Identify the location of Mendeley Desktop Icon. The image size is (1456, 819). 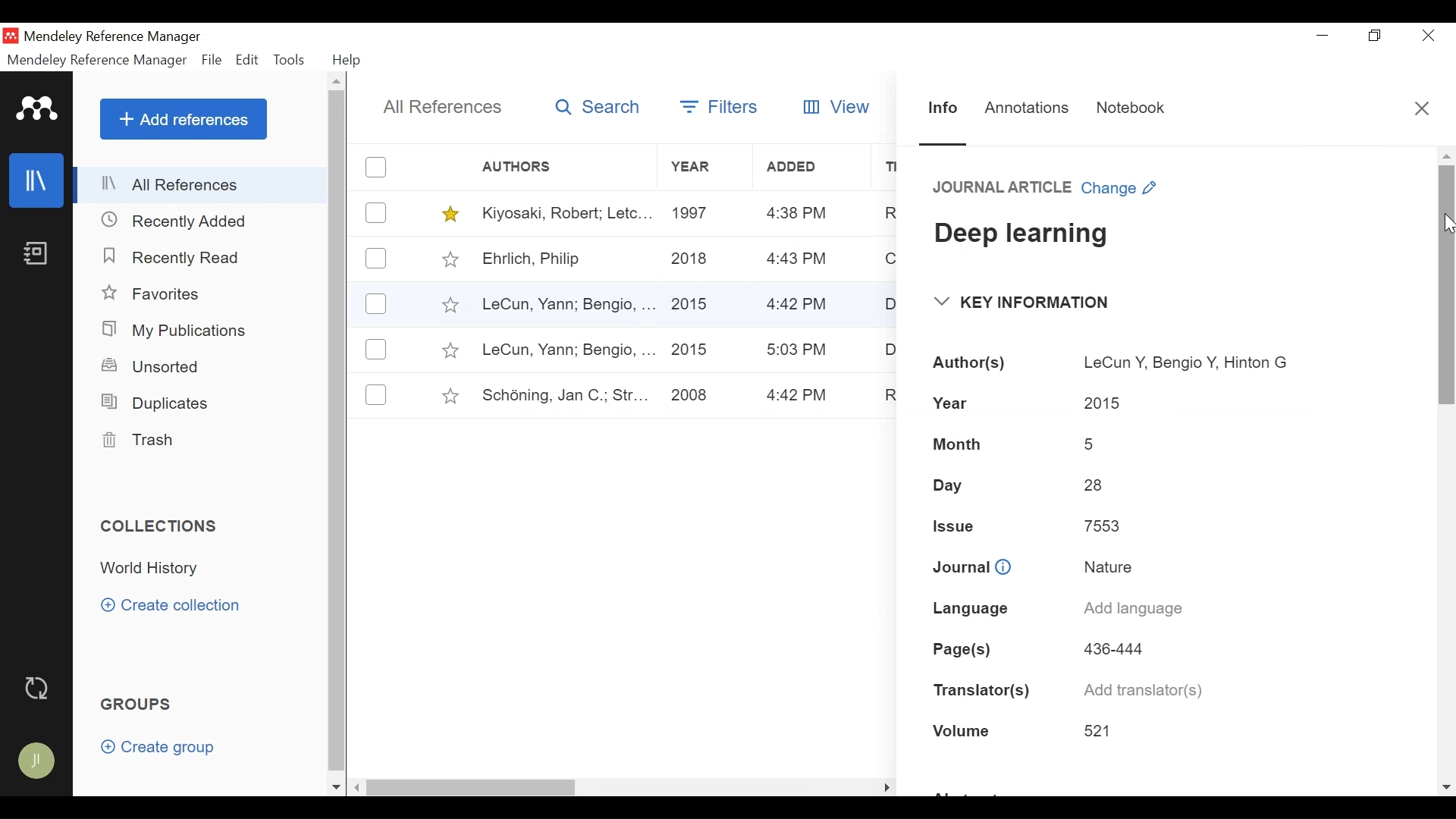
(12, 36).